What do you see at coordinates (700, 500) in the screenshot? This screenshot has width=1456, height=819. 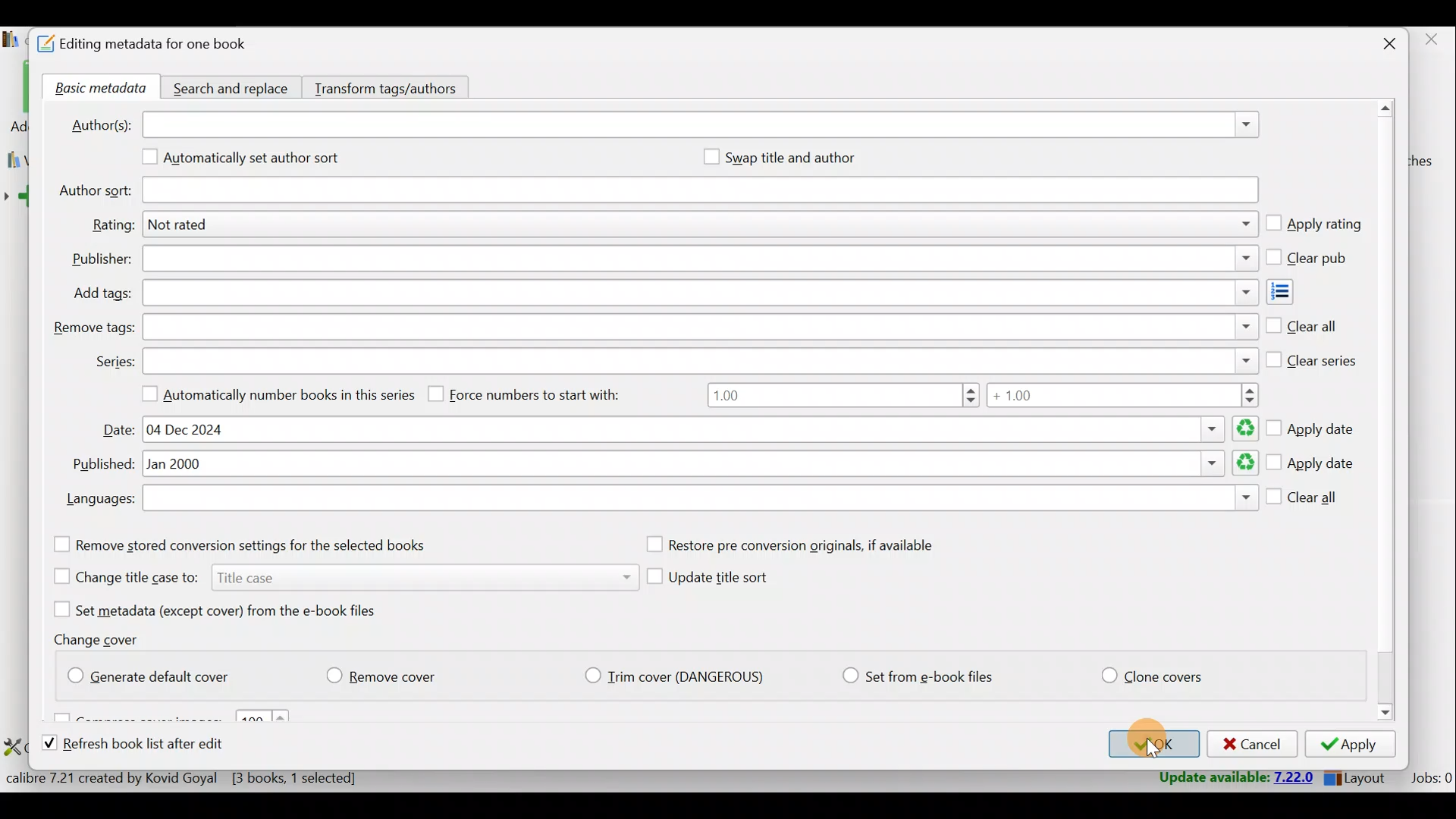 I see `Languages` at bounding box center [700, 500].